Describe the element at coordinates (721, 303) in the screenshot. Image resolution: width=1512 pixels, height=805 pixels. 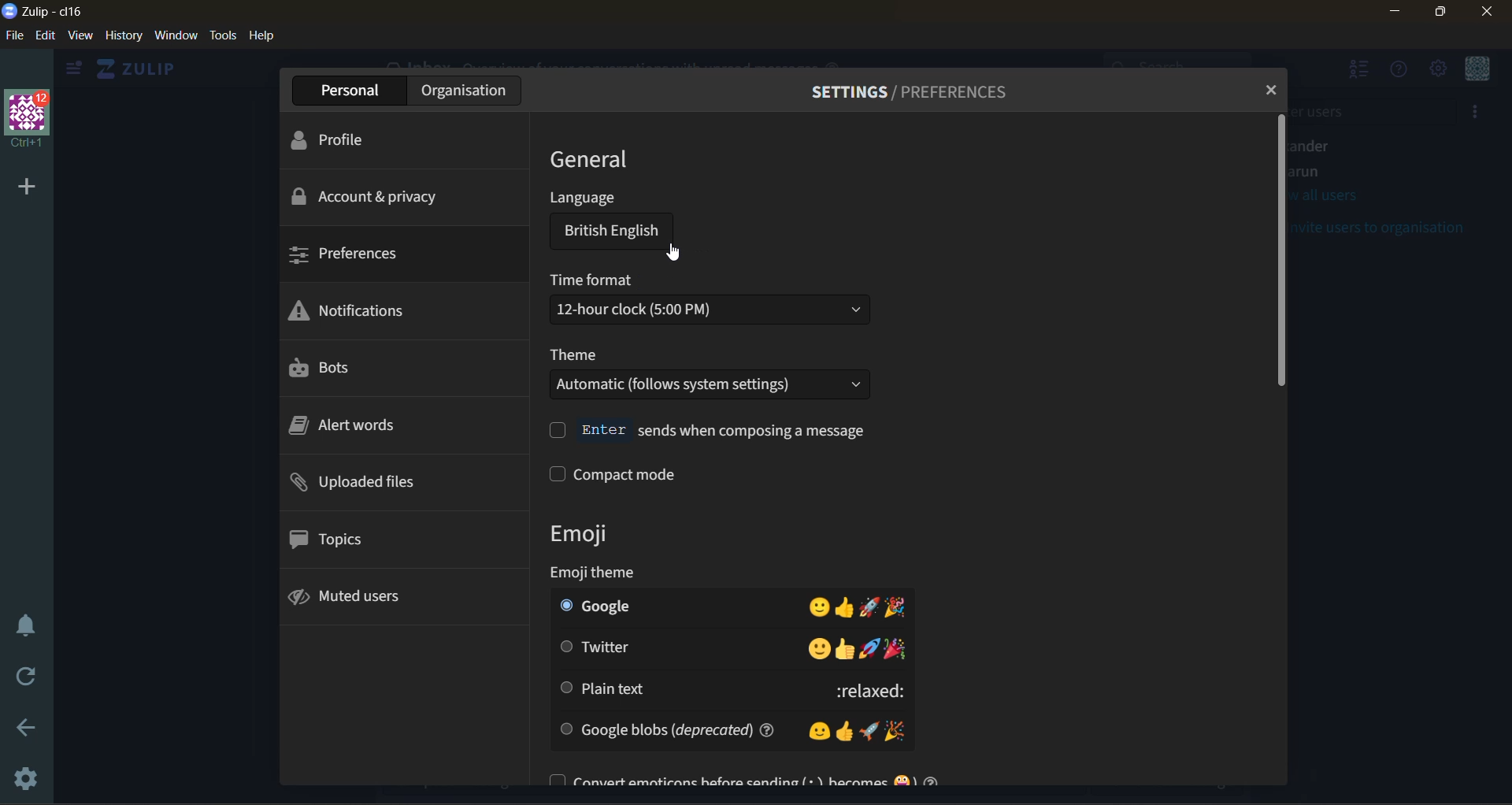
I see `time format` at that location.